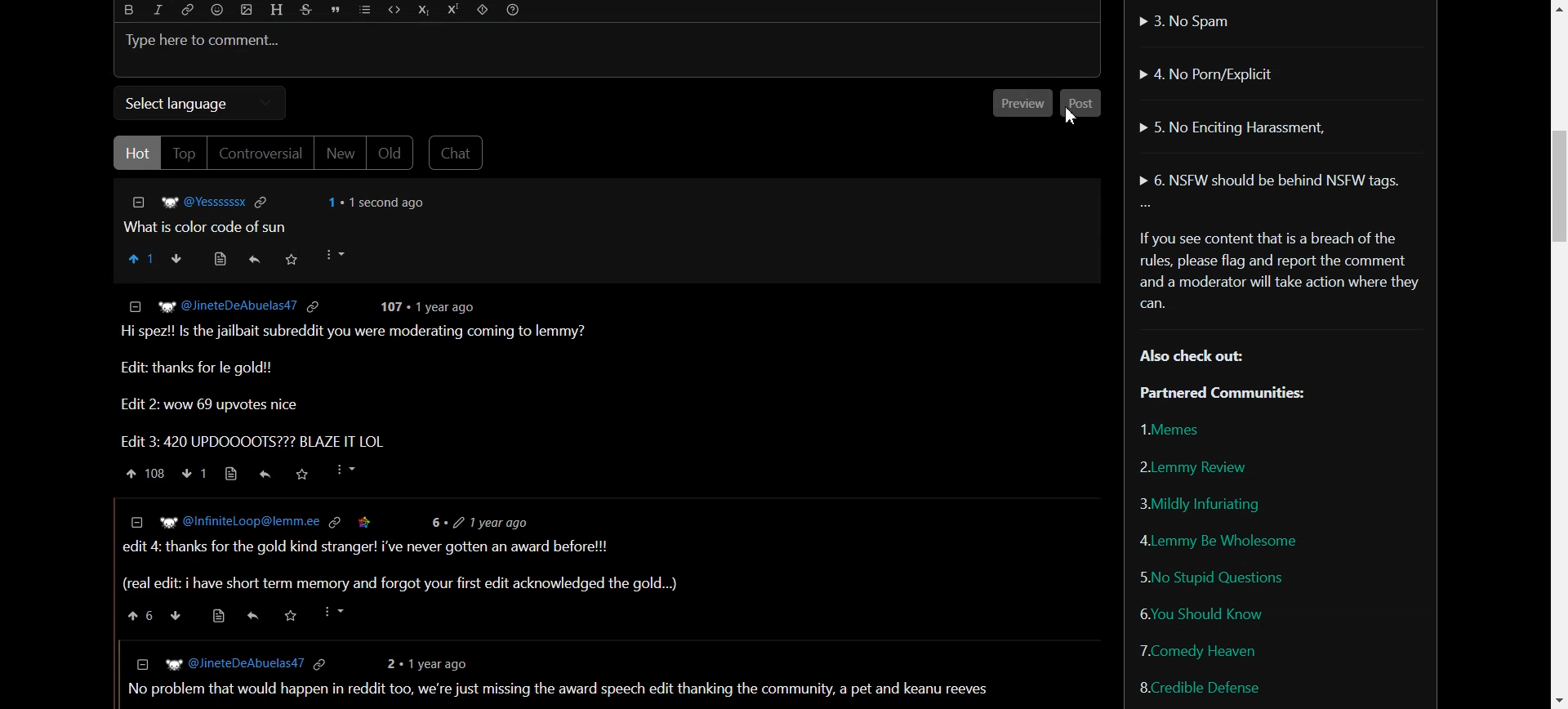 This screenshot has height=709, width=1568. Describe the element at coordinates (364, 11) in the screenshot. I see `List` at that location.